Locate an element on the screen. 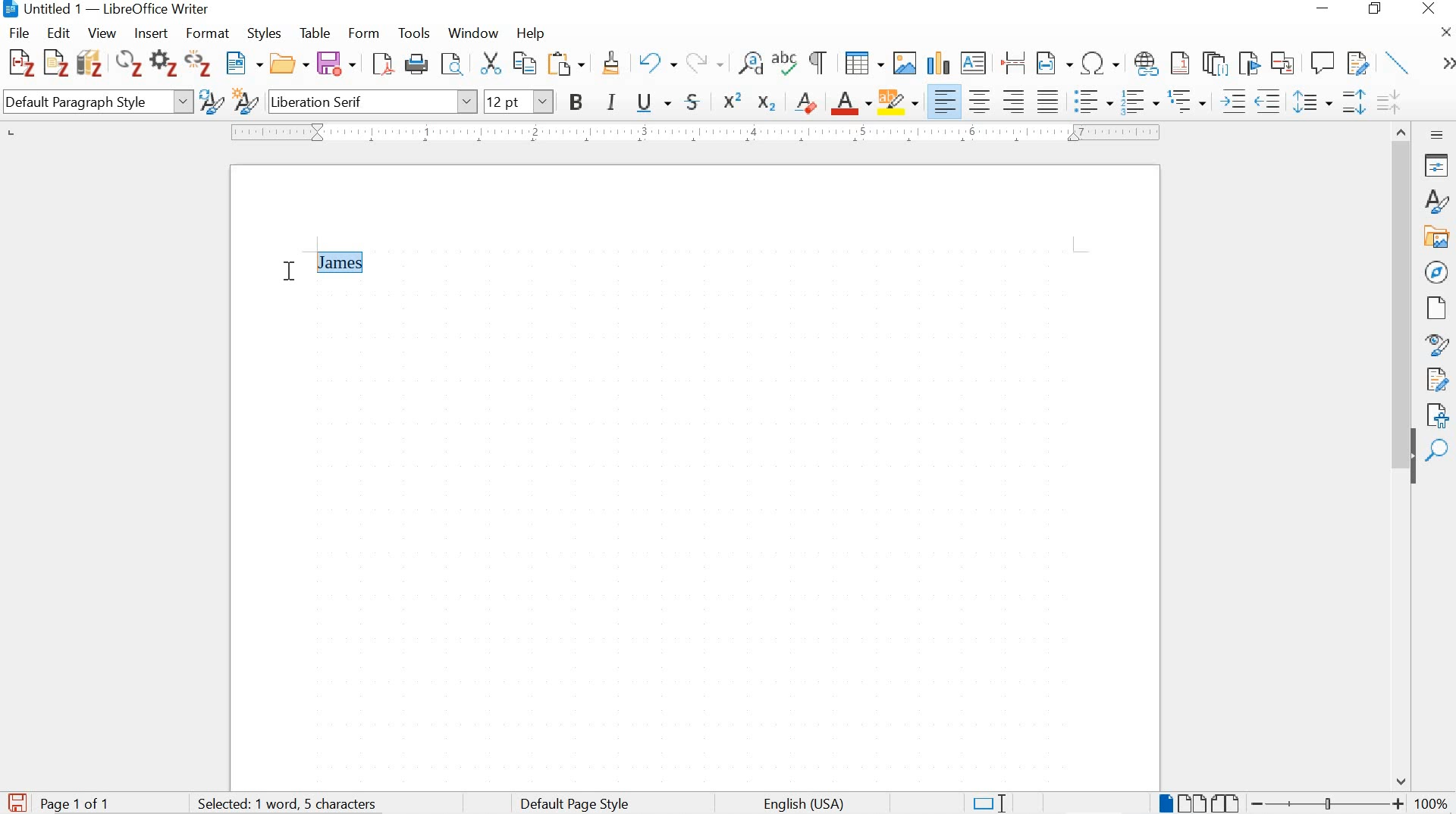  refresh is located at coordinates (127, 65).